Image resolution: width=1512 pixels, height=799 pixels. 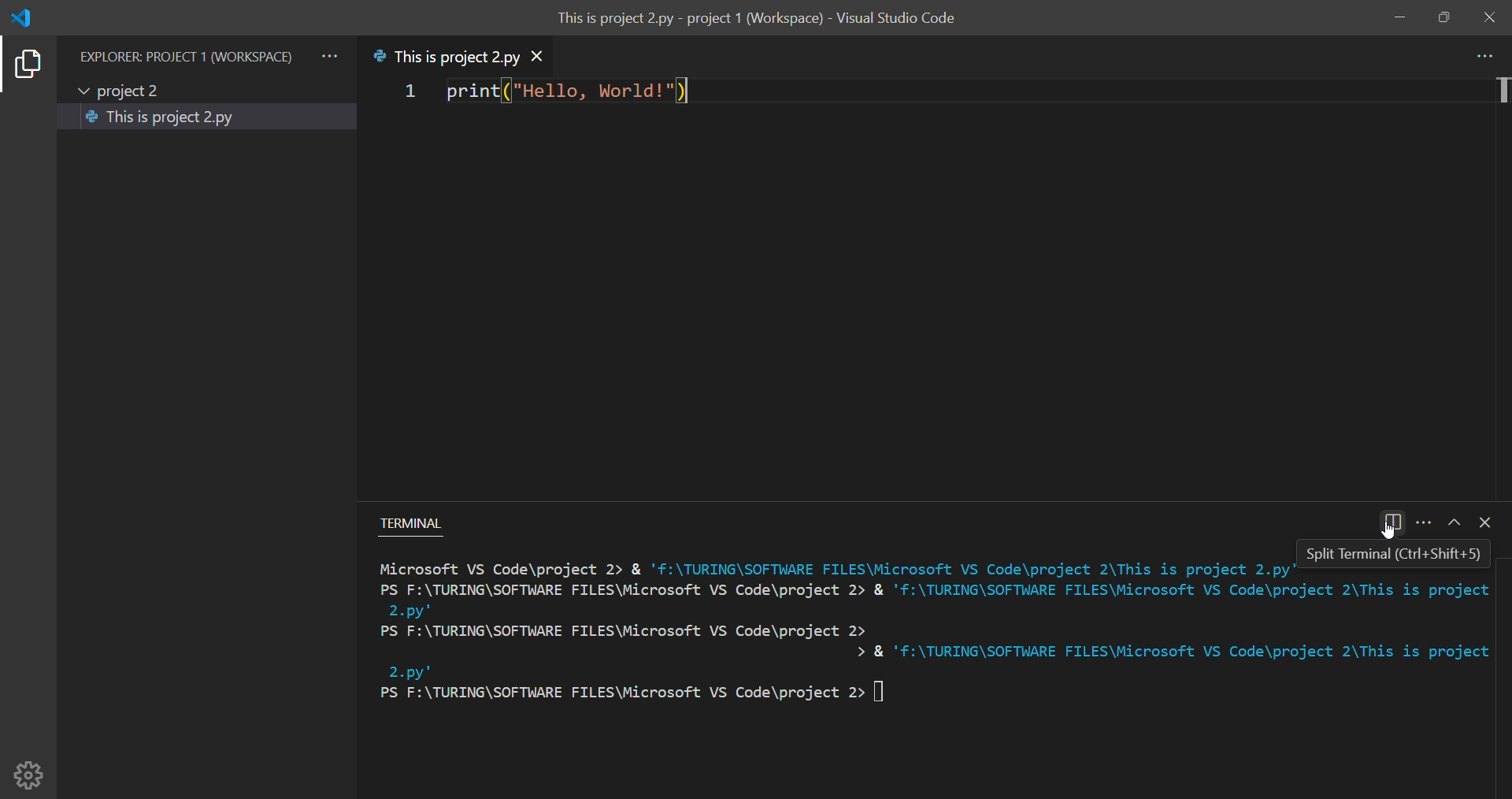 I want to click on explorer, so click(x=26, y=65).